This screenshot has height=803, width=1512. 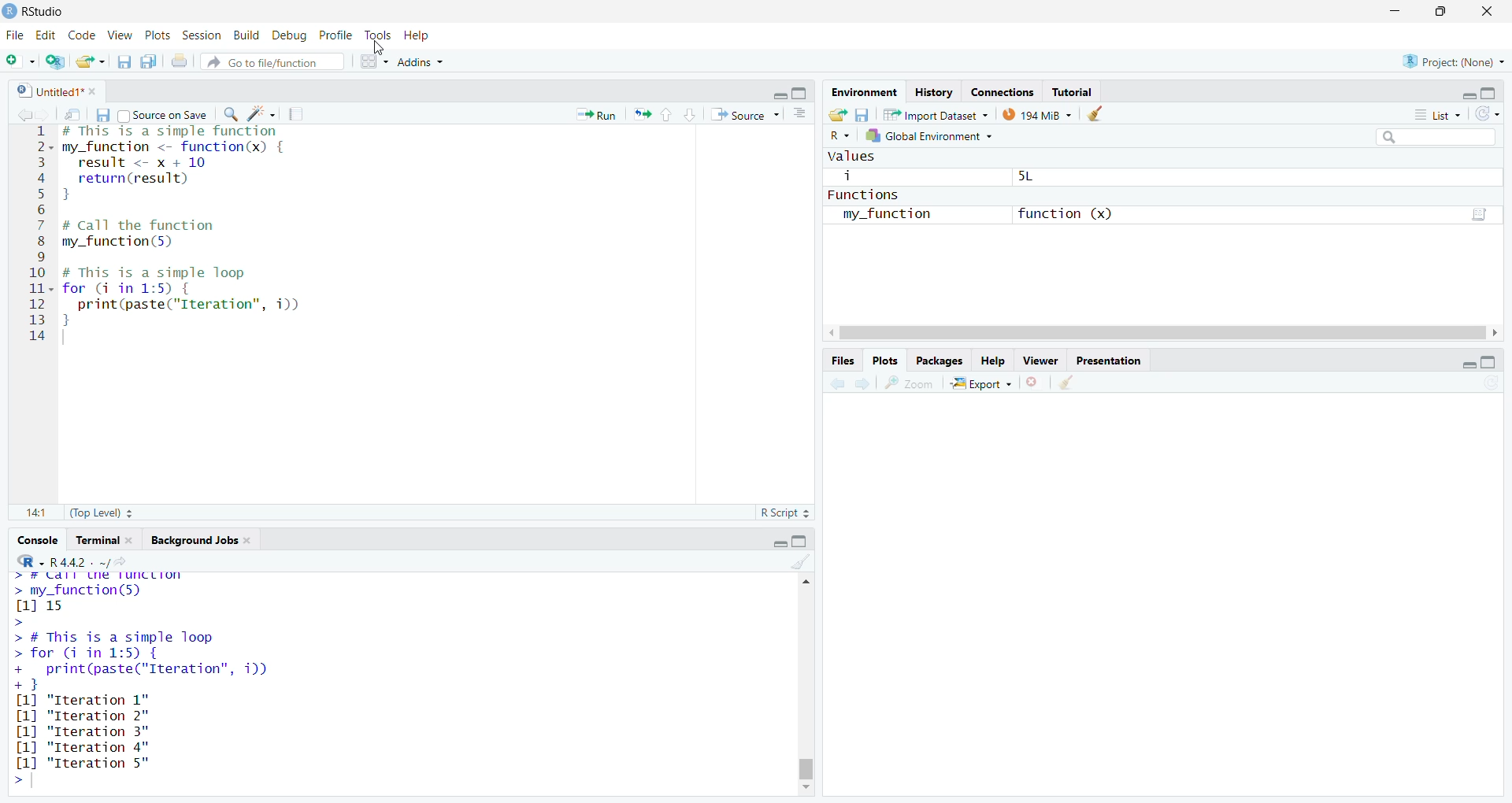 I want to click on save workspace as, so click(x=863, y=116).